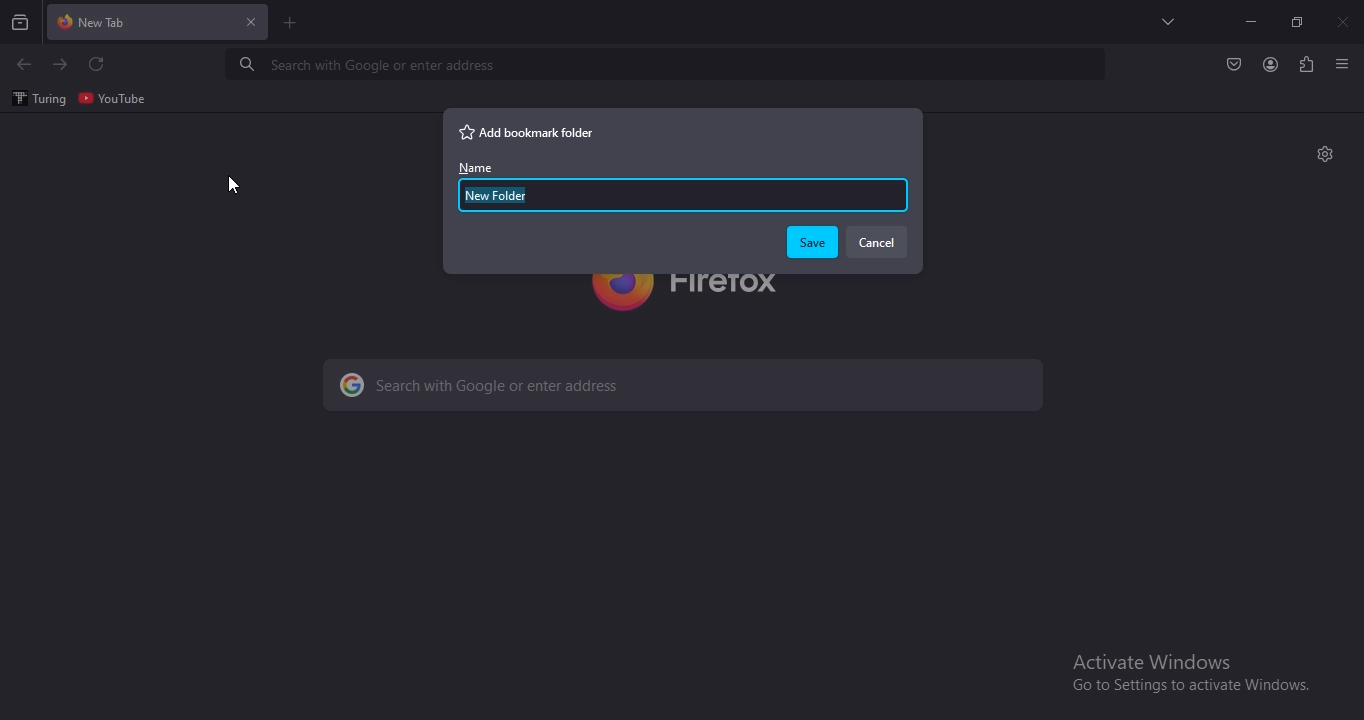  I want to click on search all recent and current tabs, so click(22, 24).